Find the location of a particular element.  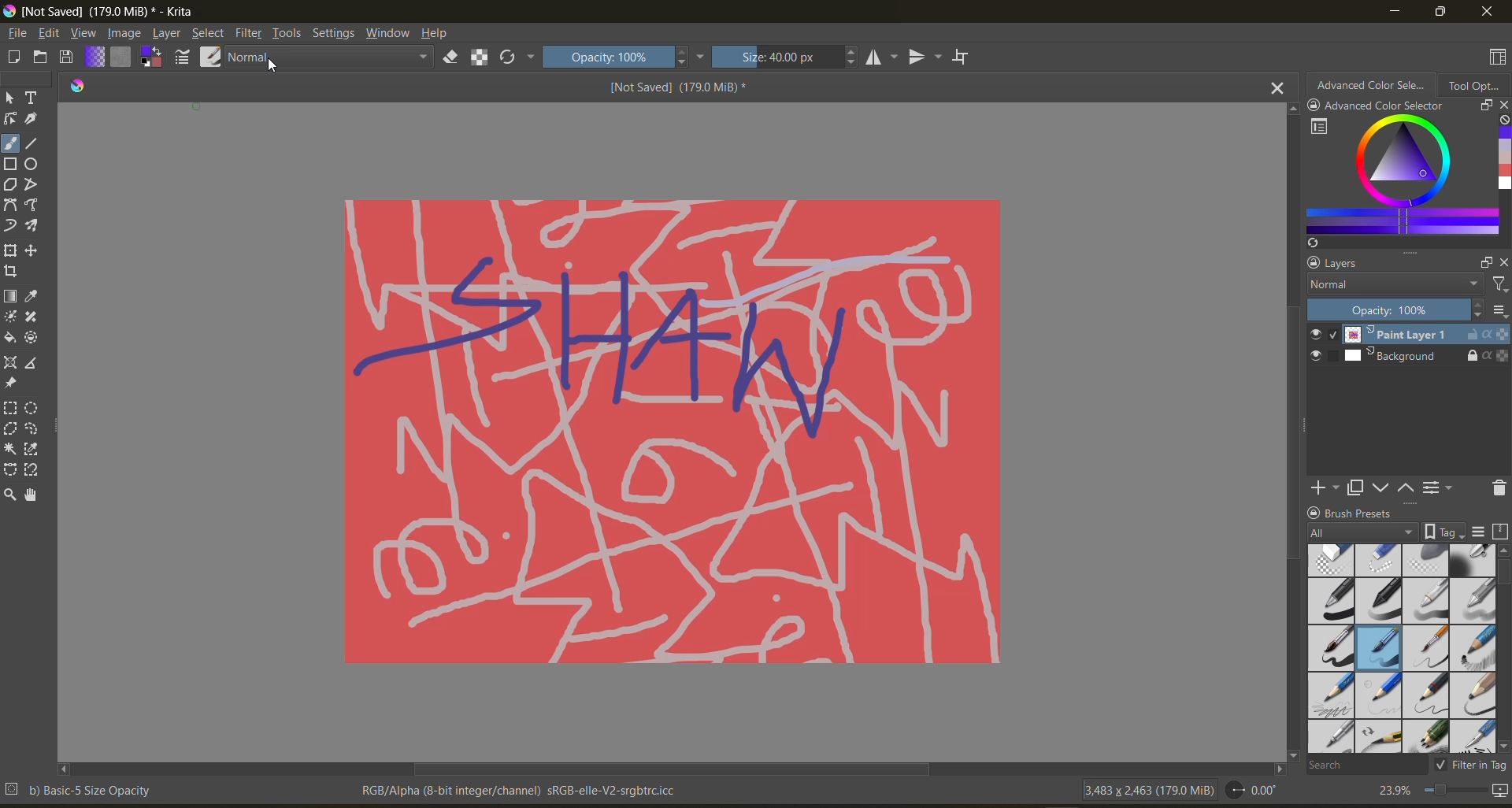

lock docker is located at coordinates (1314, 265).